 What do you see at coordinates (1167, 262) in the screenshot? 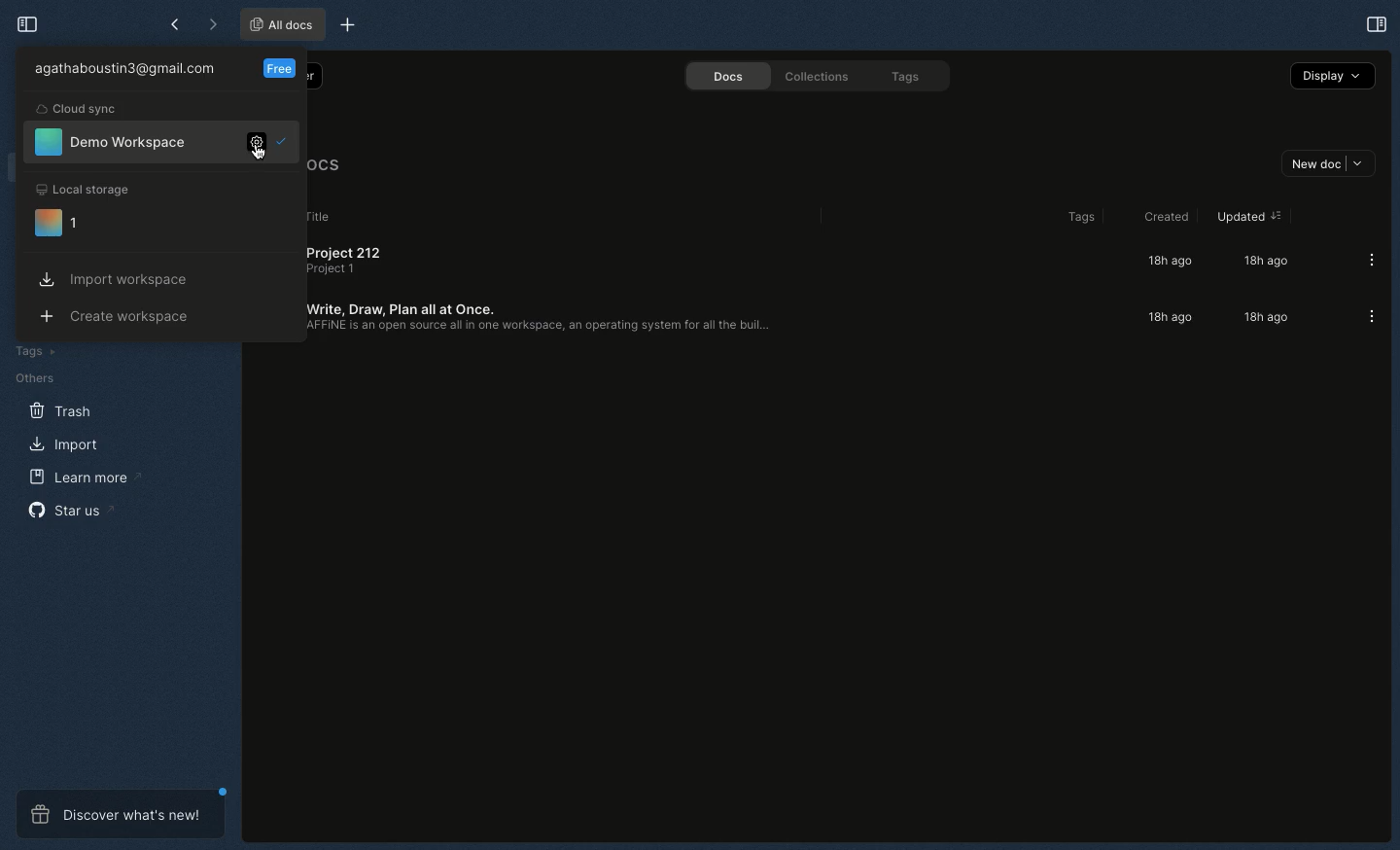
I see `18h ago` at bounding box center [1167, 262].